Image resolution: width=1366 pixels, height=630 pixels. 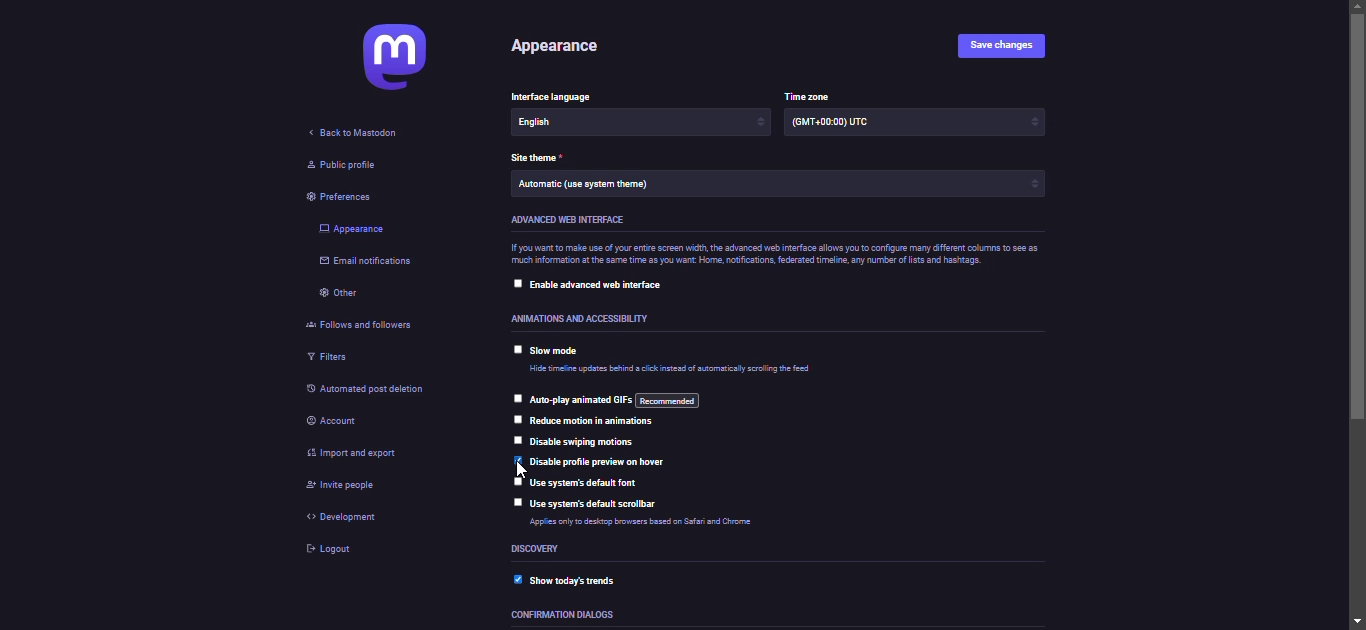 What do you see at coordinates (516, 501) in the screenshot?
I see `click to select` at bounding box center [516, 501].